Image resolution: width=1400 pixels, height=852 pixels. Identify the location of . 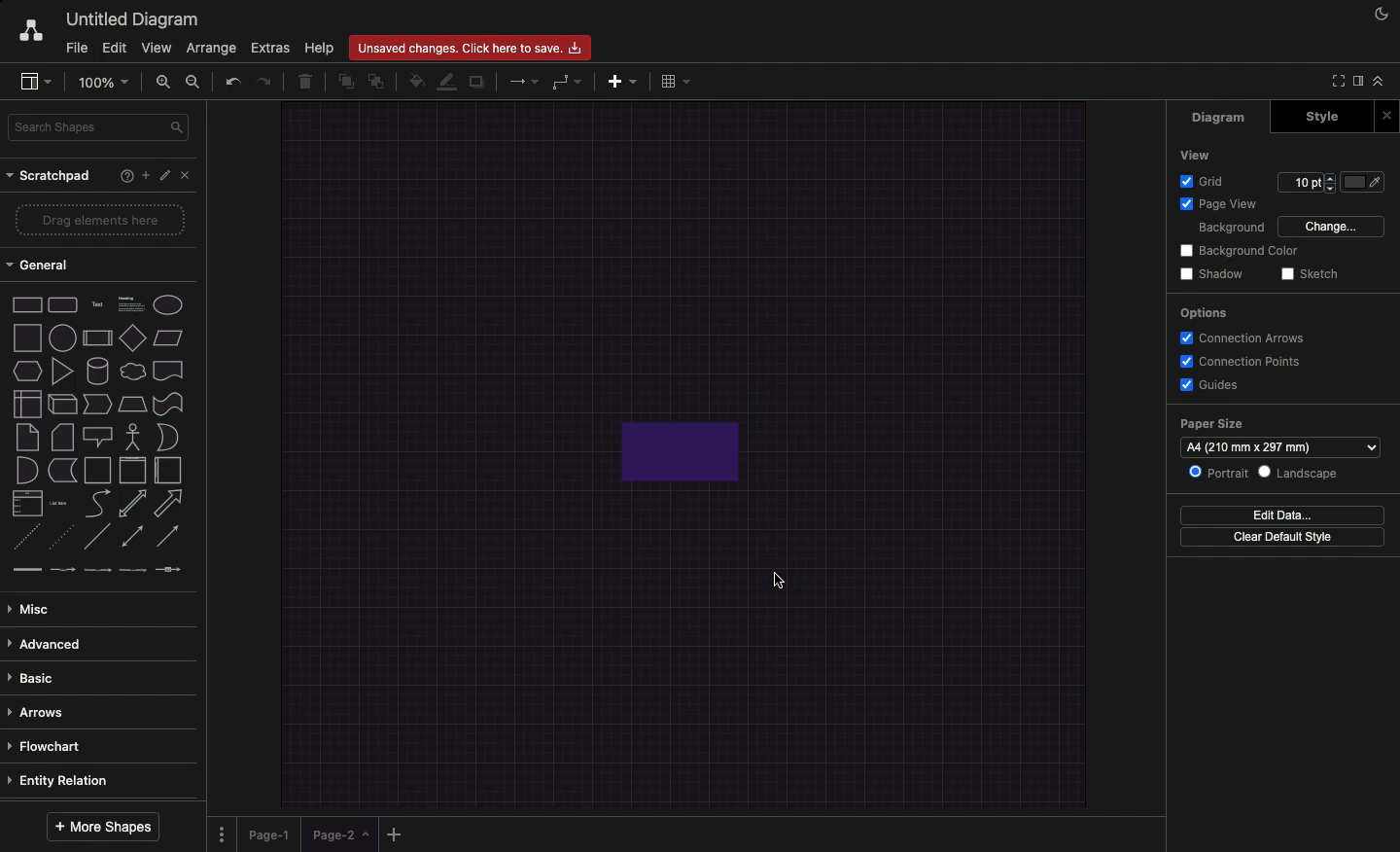
(132, 337).